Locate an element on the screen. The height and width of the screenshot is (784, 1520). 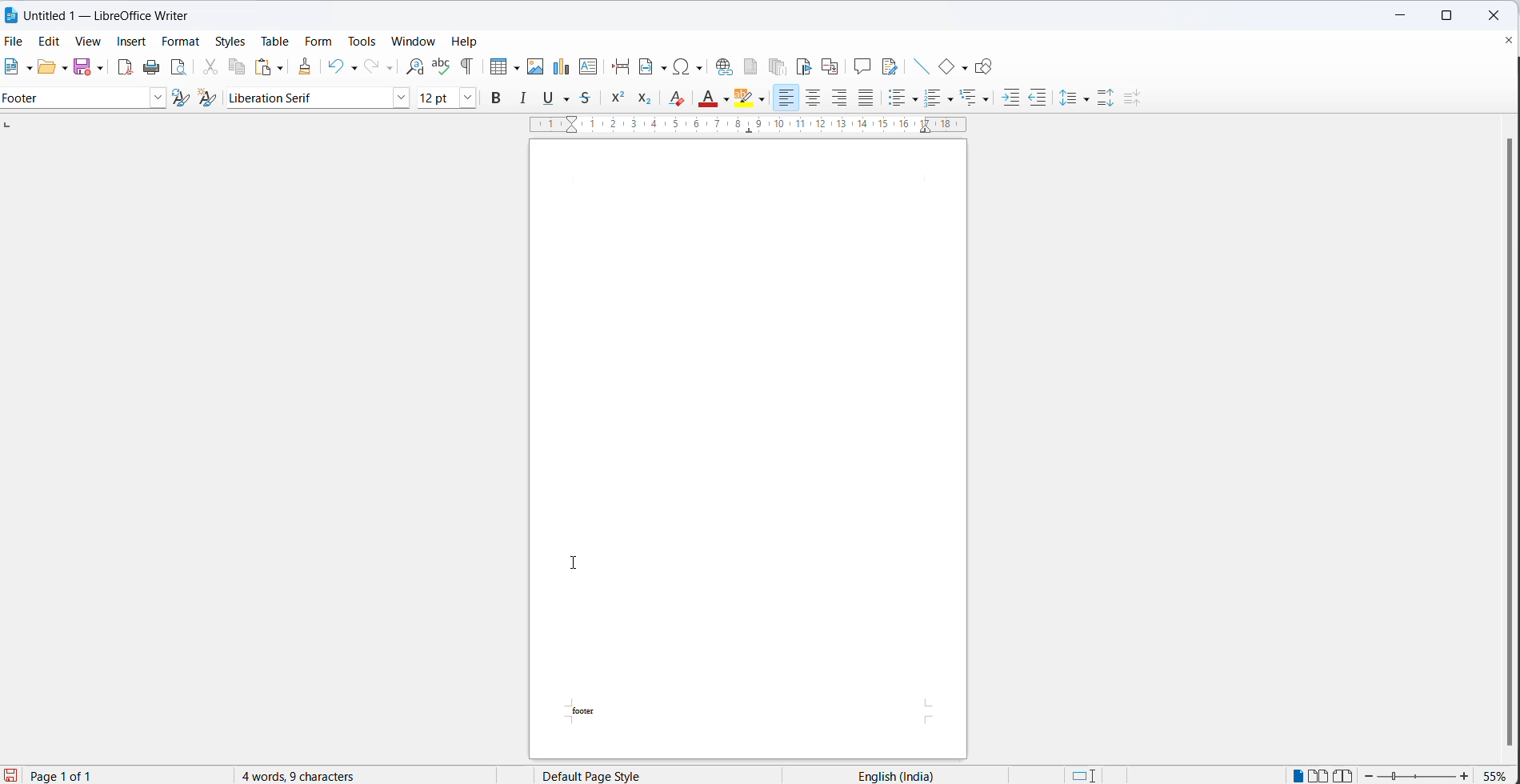
insert text is located at coordinates (591, 66).